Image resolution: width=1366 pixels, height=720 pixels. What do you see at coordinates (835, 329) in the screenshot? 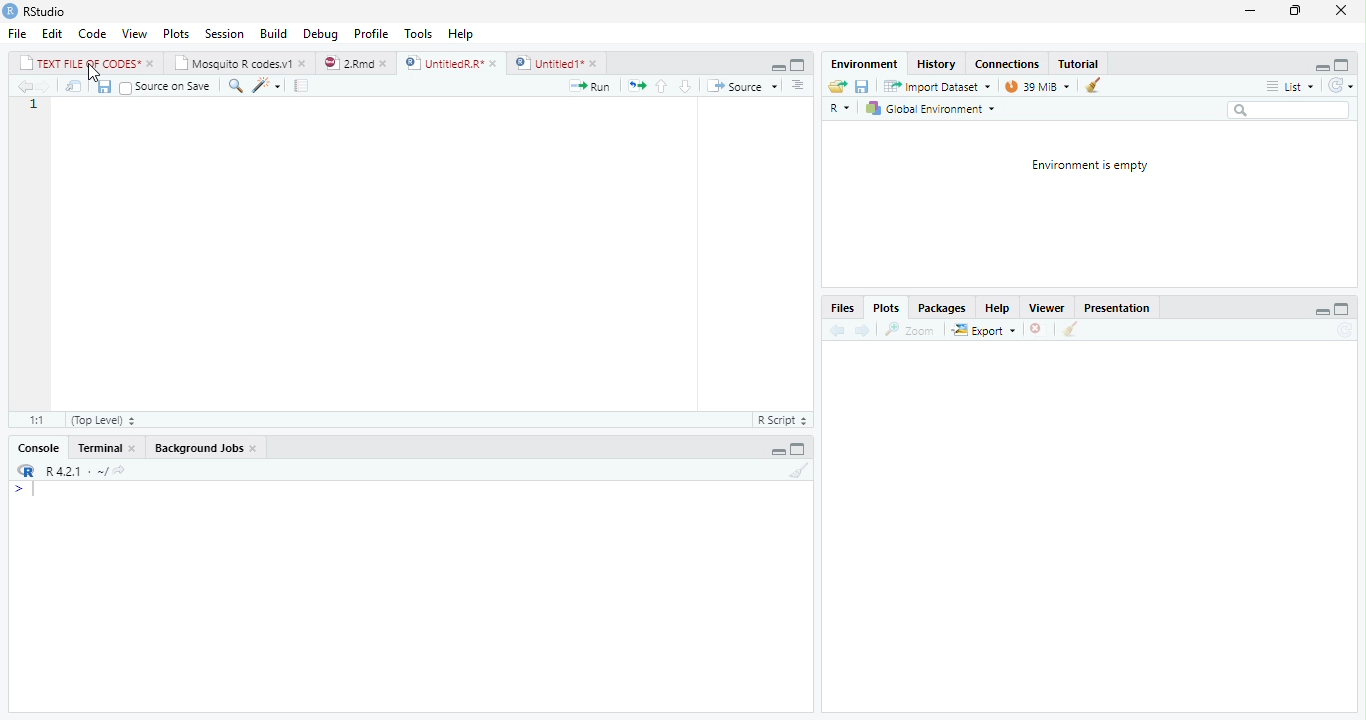
I see `Previous` at bounding box center [835, 329].